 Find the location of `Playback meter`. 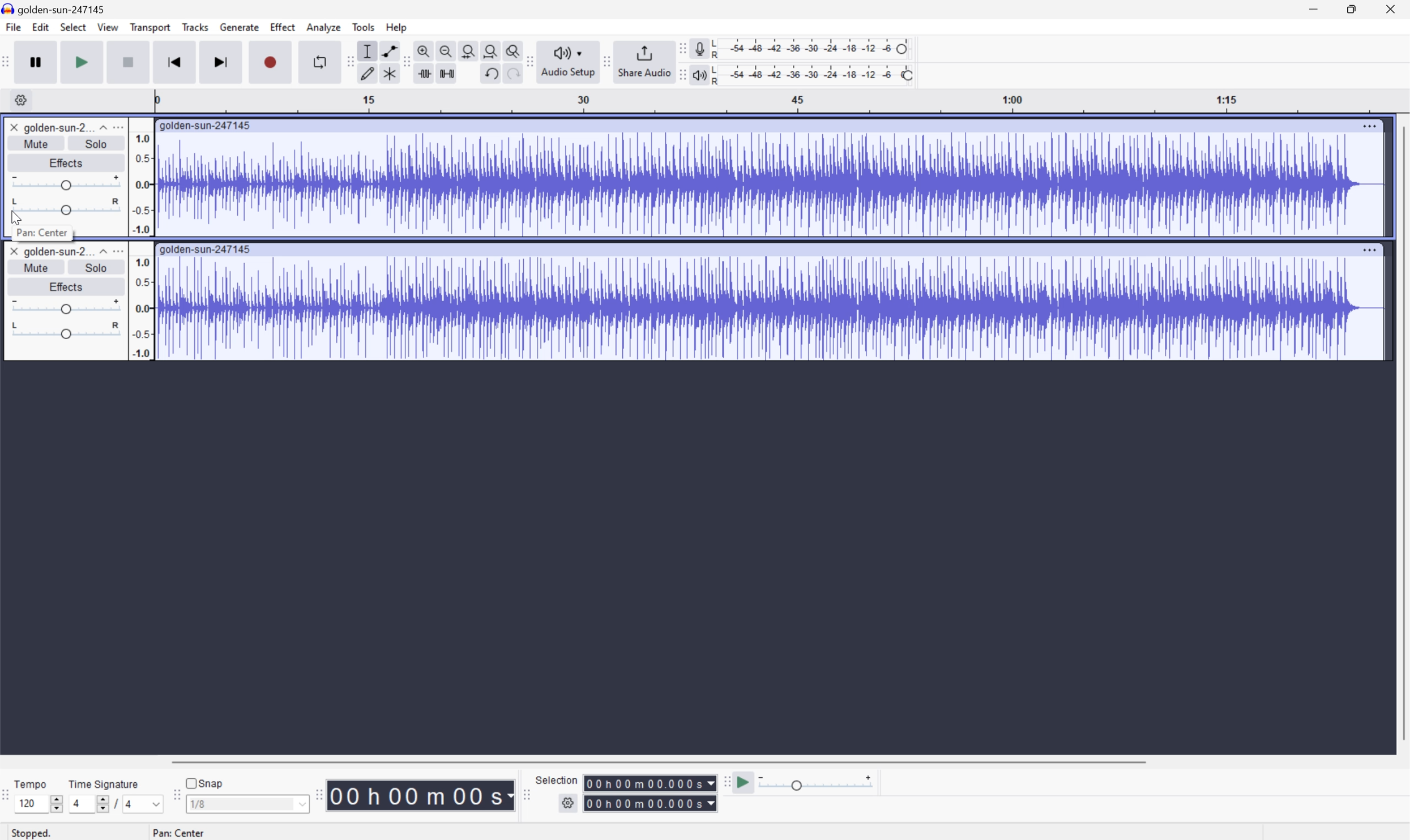

Playback meter is located at coordinates (699, 74).